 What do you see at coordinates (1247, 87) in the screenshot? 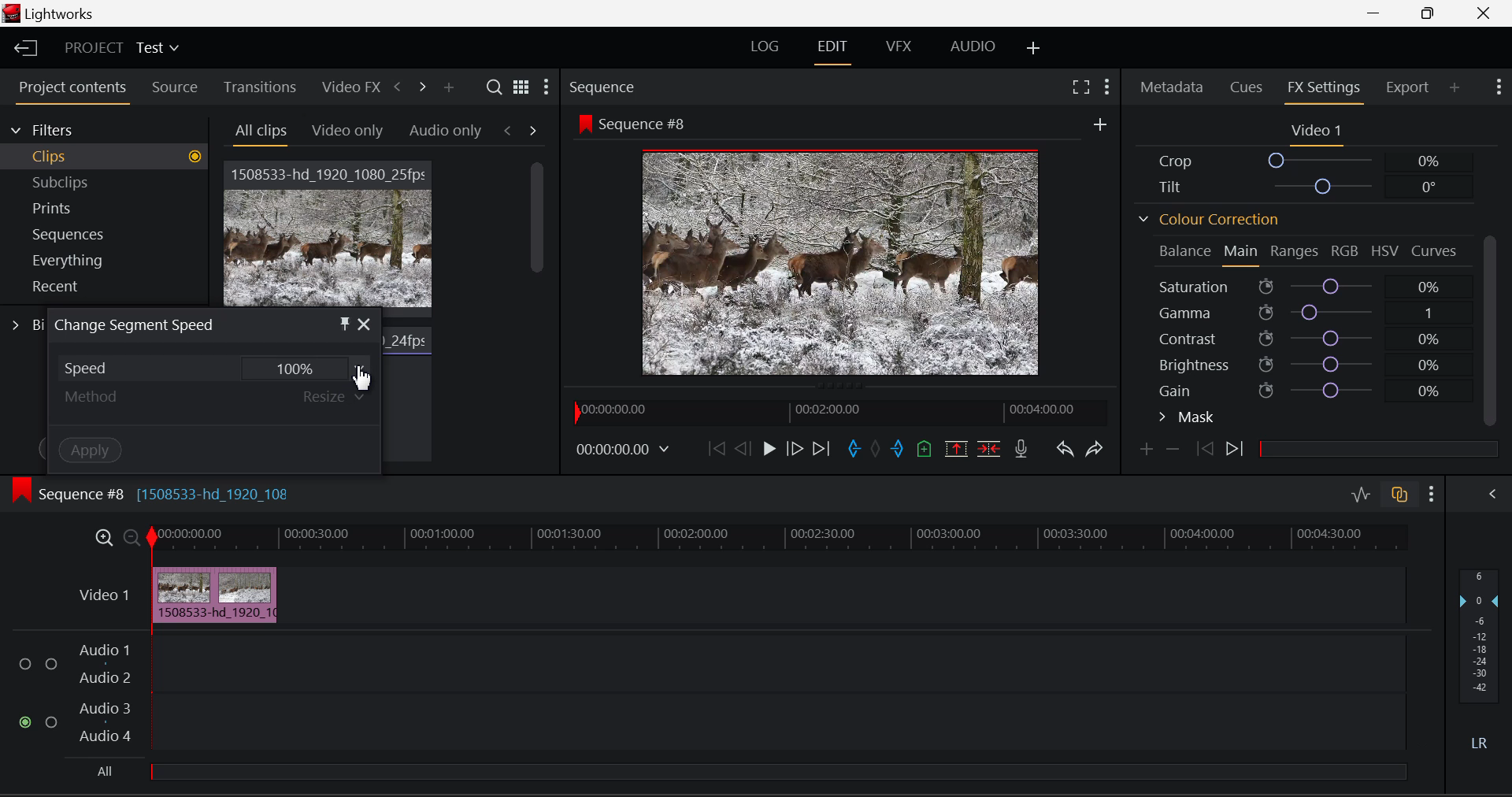
I see `Cues` at bounding box center [1247, 87].